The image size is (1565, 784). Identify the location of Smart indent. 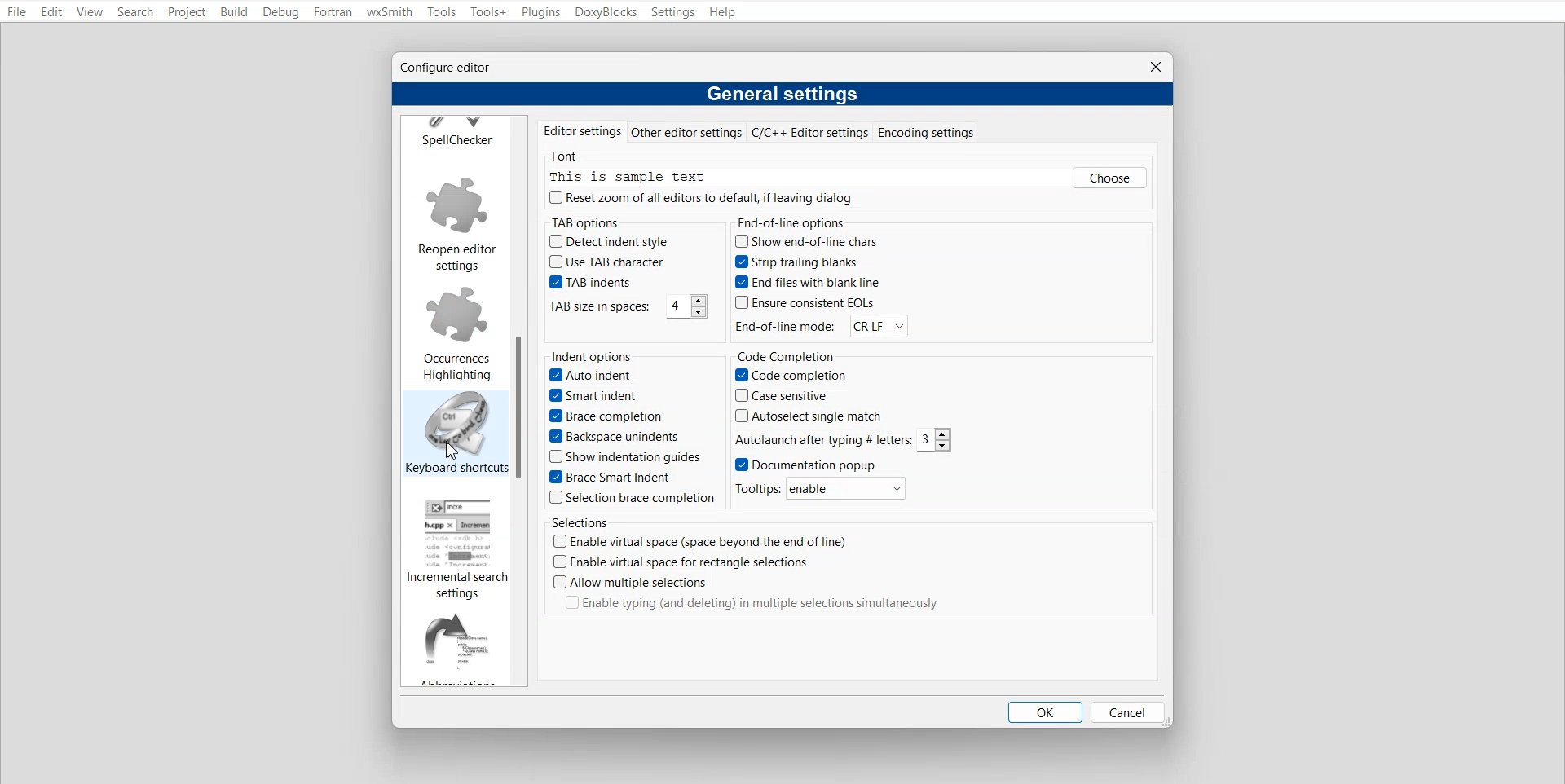
(598, 397).